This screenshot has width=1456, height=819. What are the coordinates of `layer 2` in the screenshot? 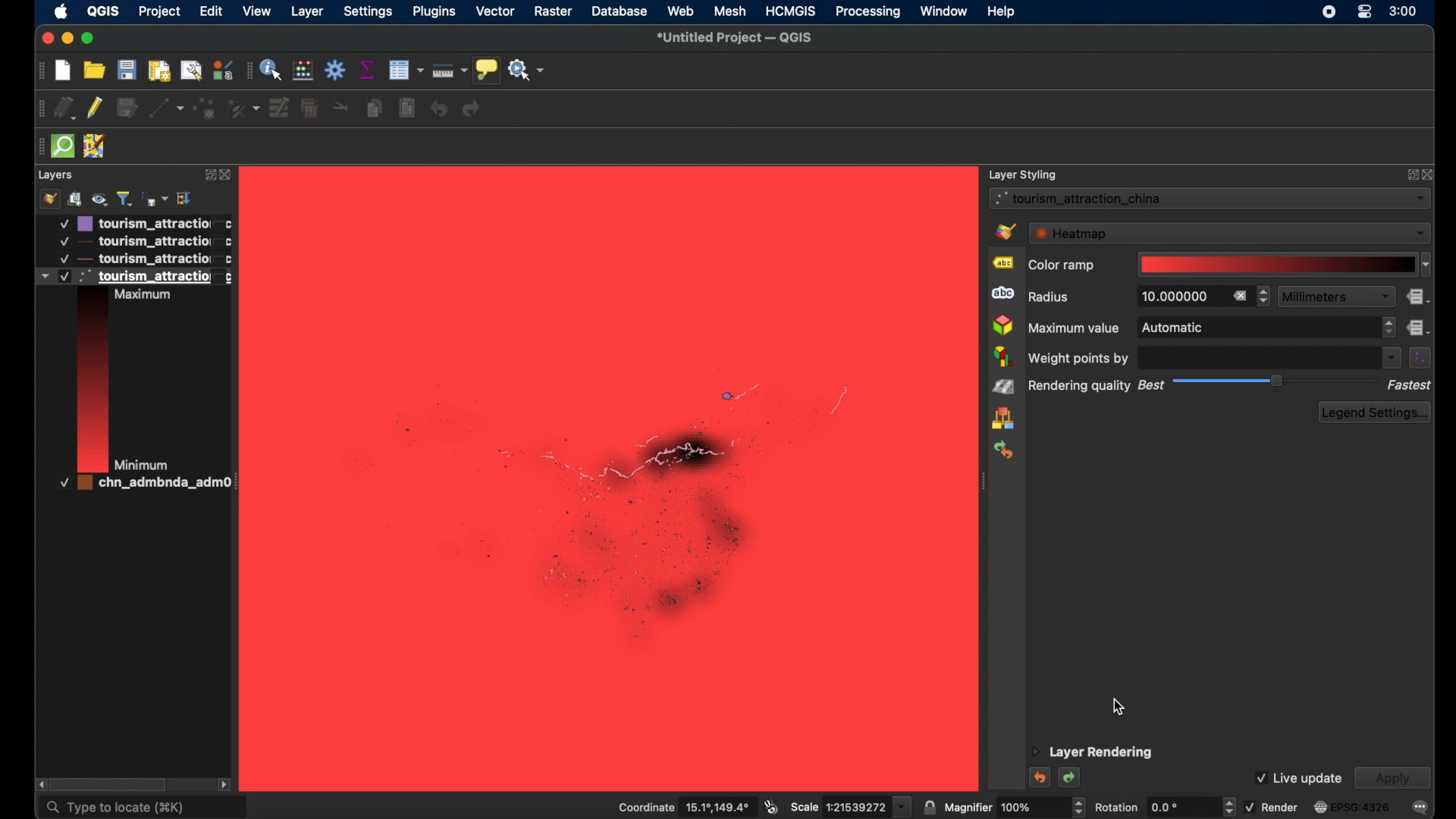 It's located at (142, 241).